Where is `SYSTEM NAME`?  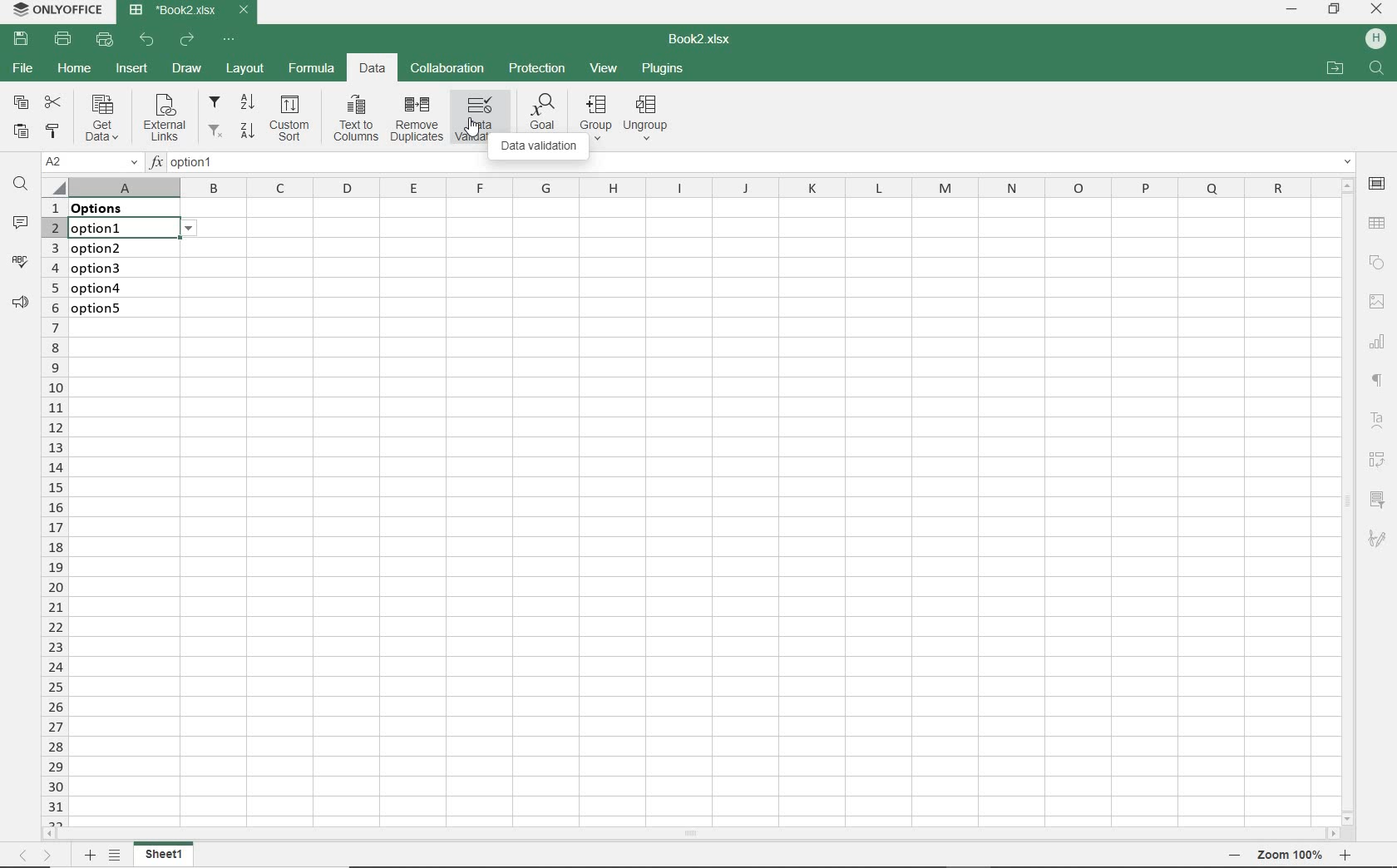 SYSTEM NAME is located at coordinates (60, 10).